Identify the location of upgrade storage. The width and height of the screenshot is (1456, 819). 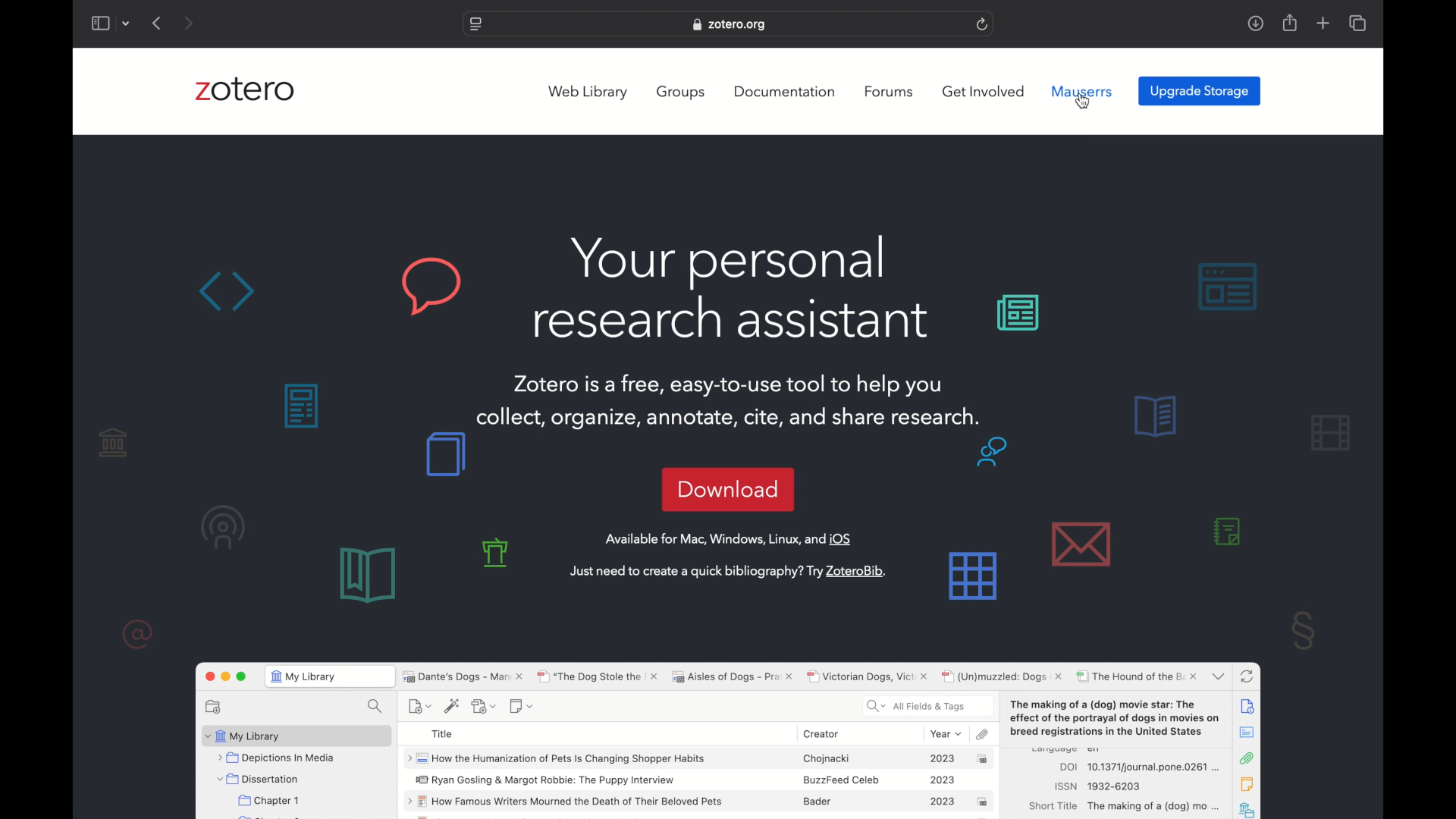
(1200, 90).